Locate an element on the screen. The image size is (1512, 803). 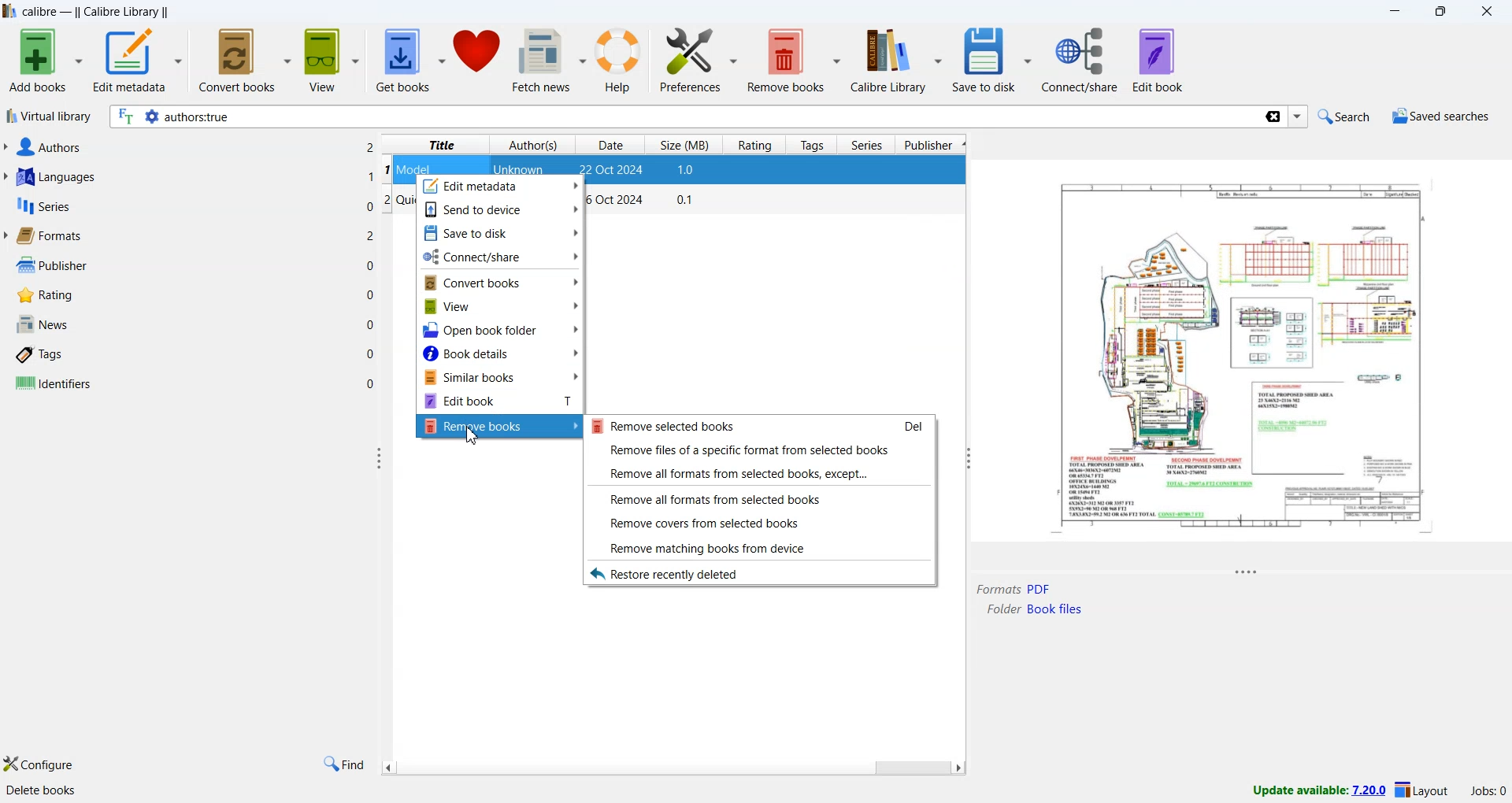
app name is located at coordinates (9, 11).